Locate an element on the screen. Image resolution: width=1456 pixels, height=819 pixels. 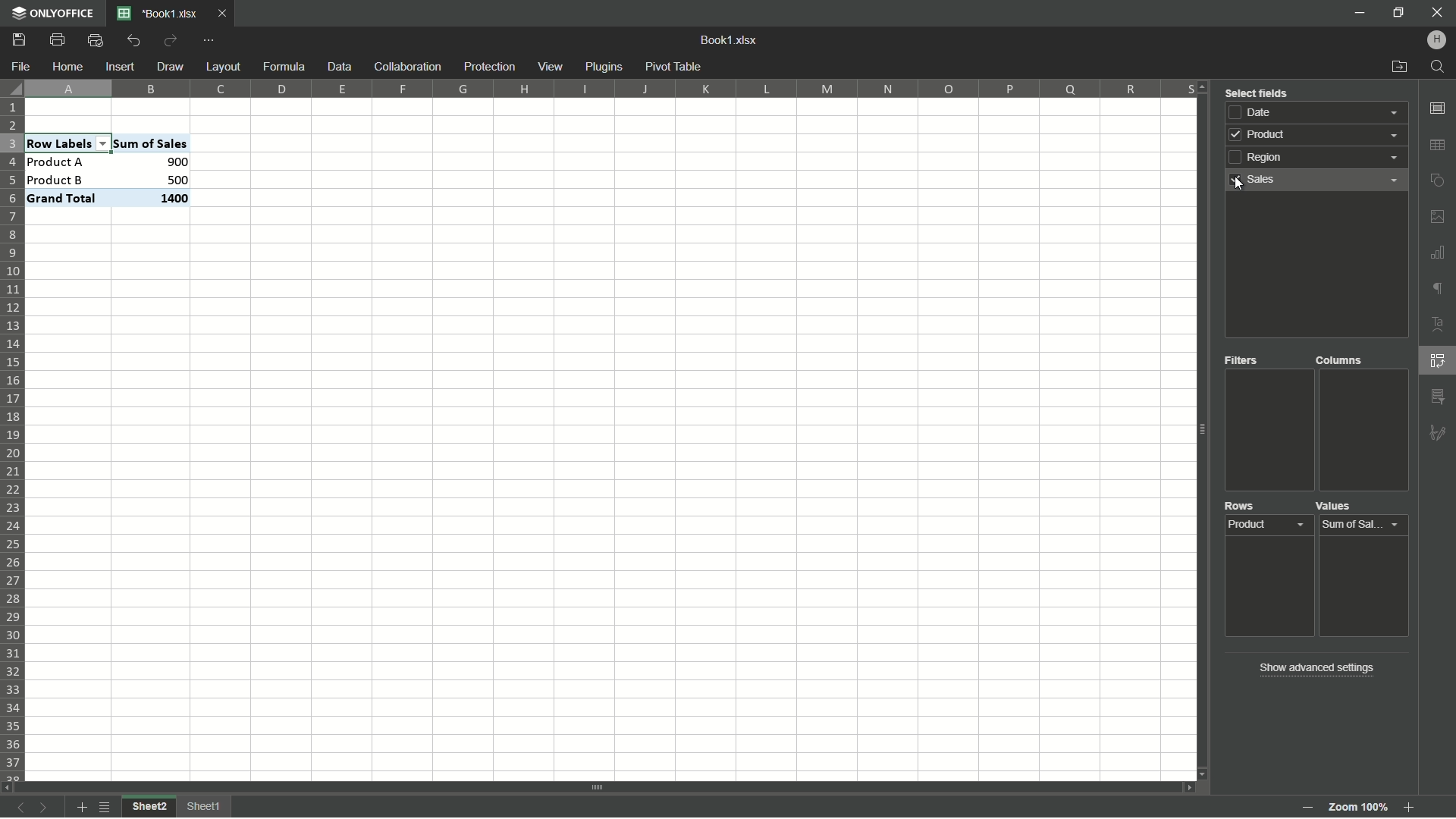
open file location is located at coordinates (1398, 67).